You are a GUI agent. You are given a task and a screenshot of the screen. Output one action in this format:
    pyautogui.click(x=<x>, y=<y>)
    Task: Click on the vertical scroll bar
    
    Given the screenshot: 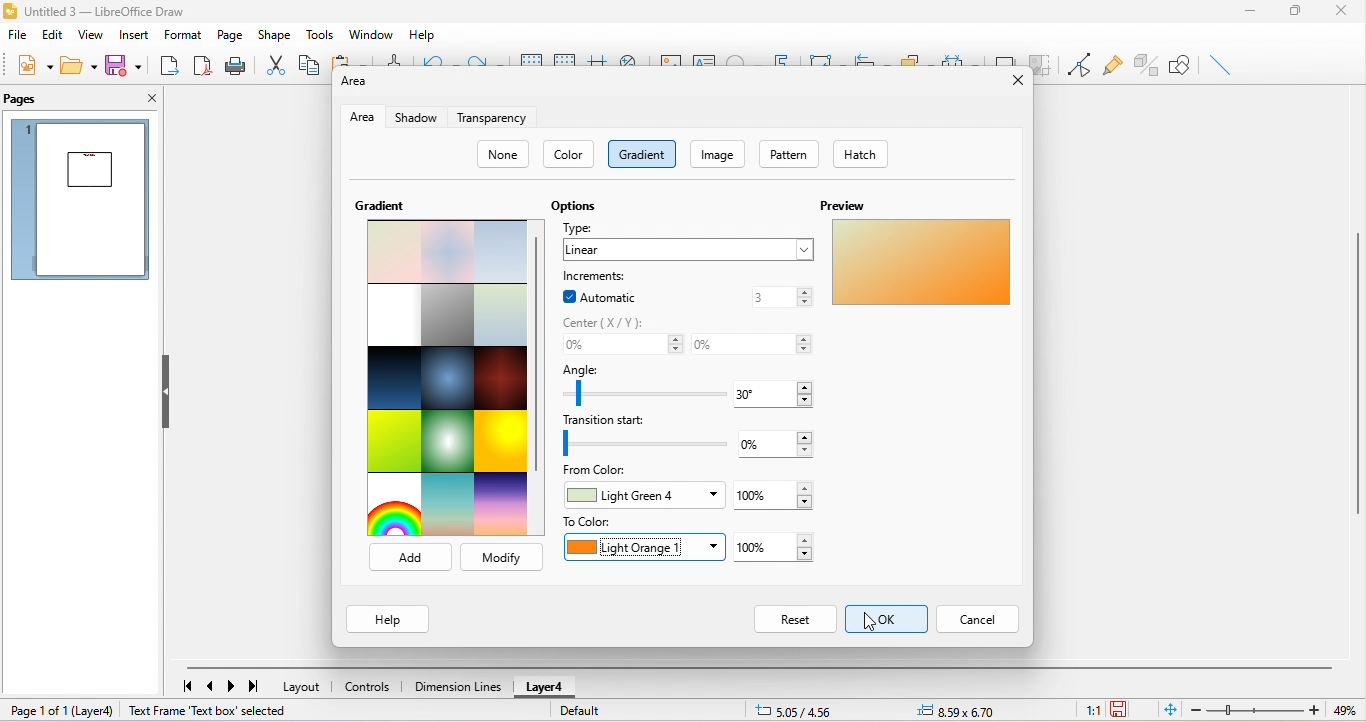 What is the action you would take?
    pyautogui.click(x=1357, y=372)
    